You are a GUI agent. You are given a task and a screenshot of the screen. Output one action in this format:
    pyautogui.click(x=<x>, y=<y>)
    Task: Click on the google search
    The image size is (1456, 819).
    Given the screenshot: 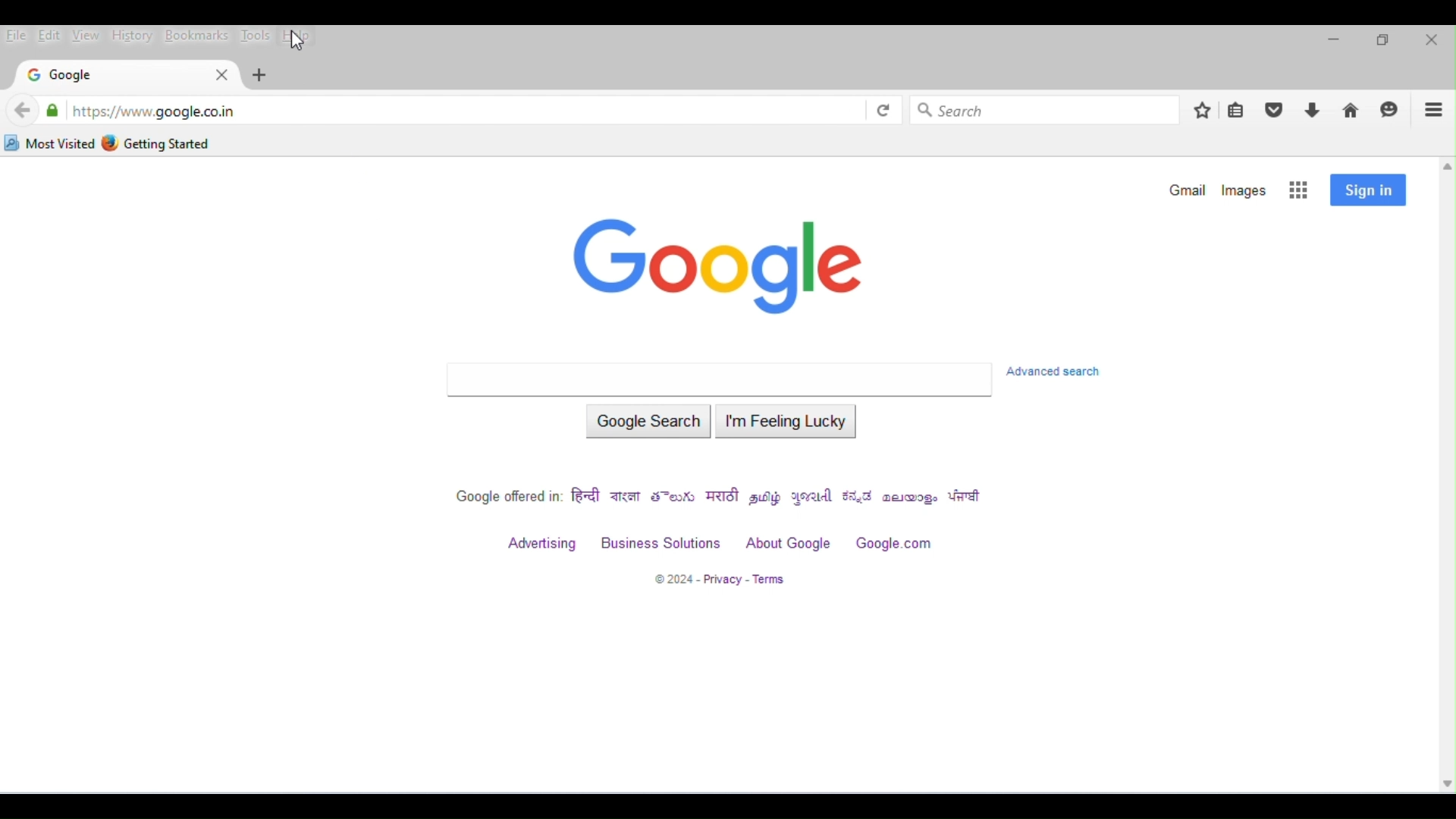 What is the action you would take?
    pyautogui.click(x=648, y=423)
    